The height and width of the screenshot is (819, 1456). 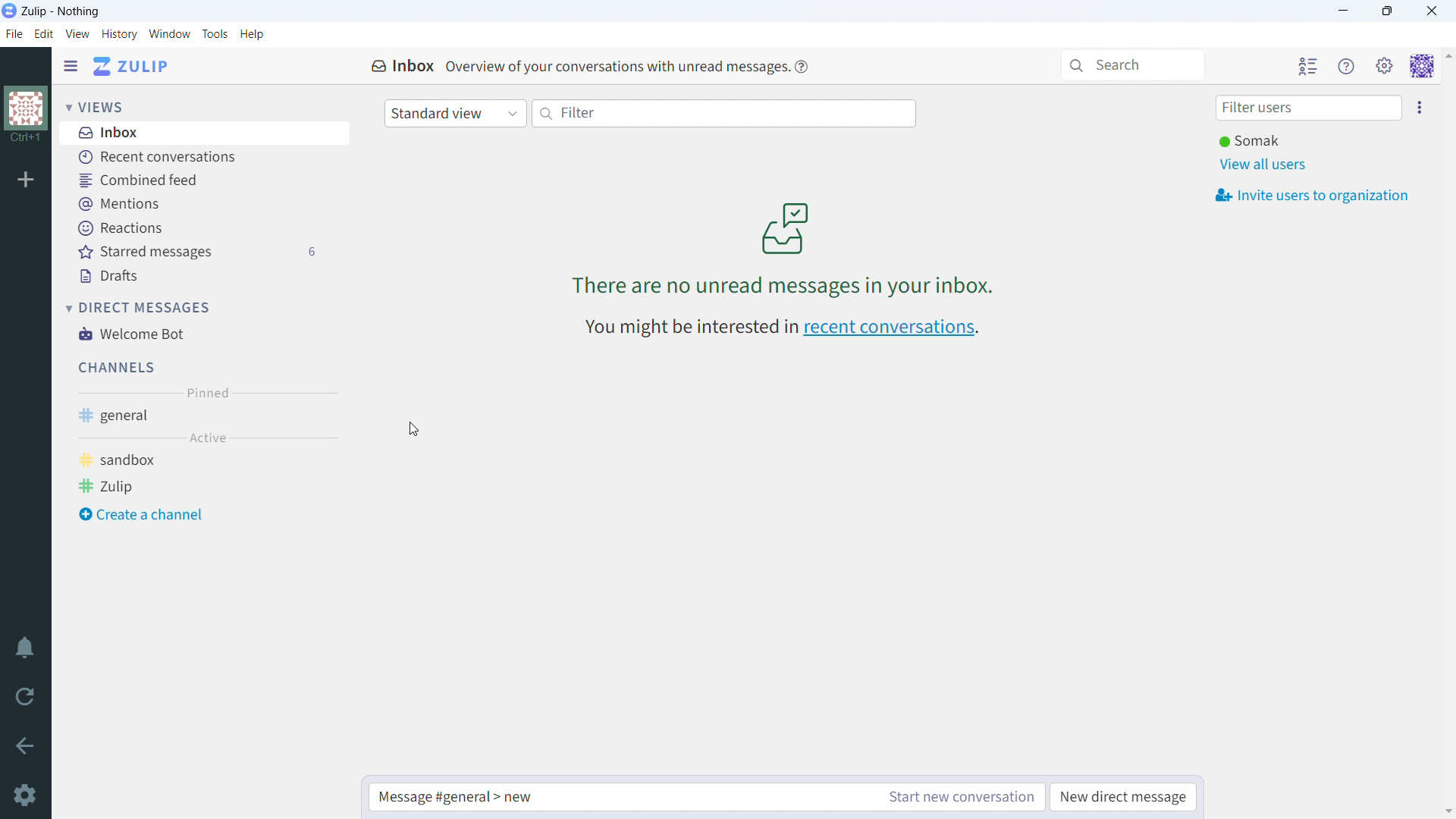 I want to click on file, so click(x=14, y=33).